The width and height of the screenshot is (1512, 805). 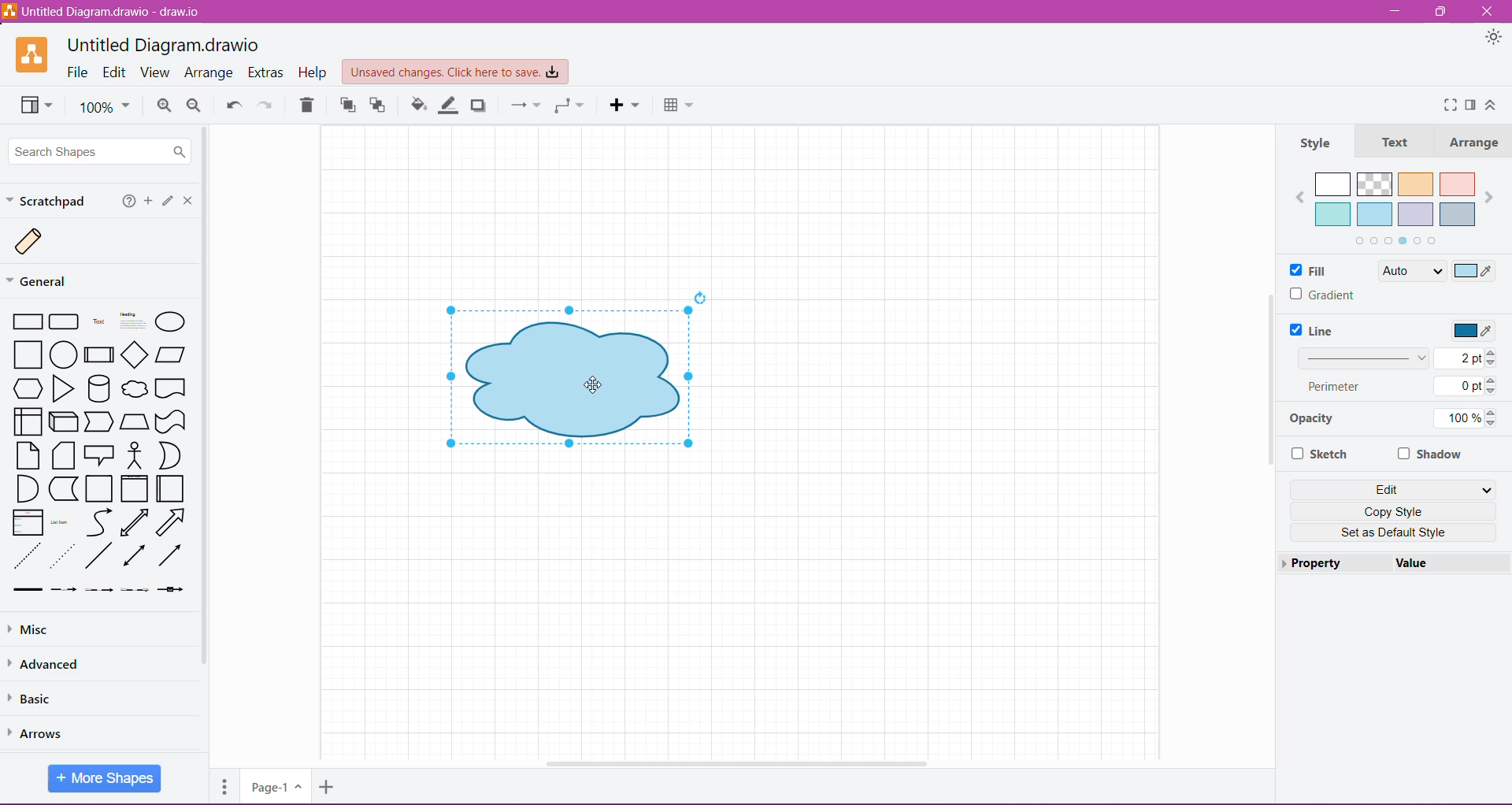 What do you see at coordinates (1310, 421) in the screenshot?
I see `Opacity` at bounding box center [1310, 421].